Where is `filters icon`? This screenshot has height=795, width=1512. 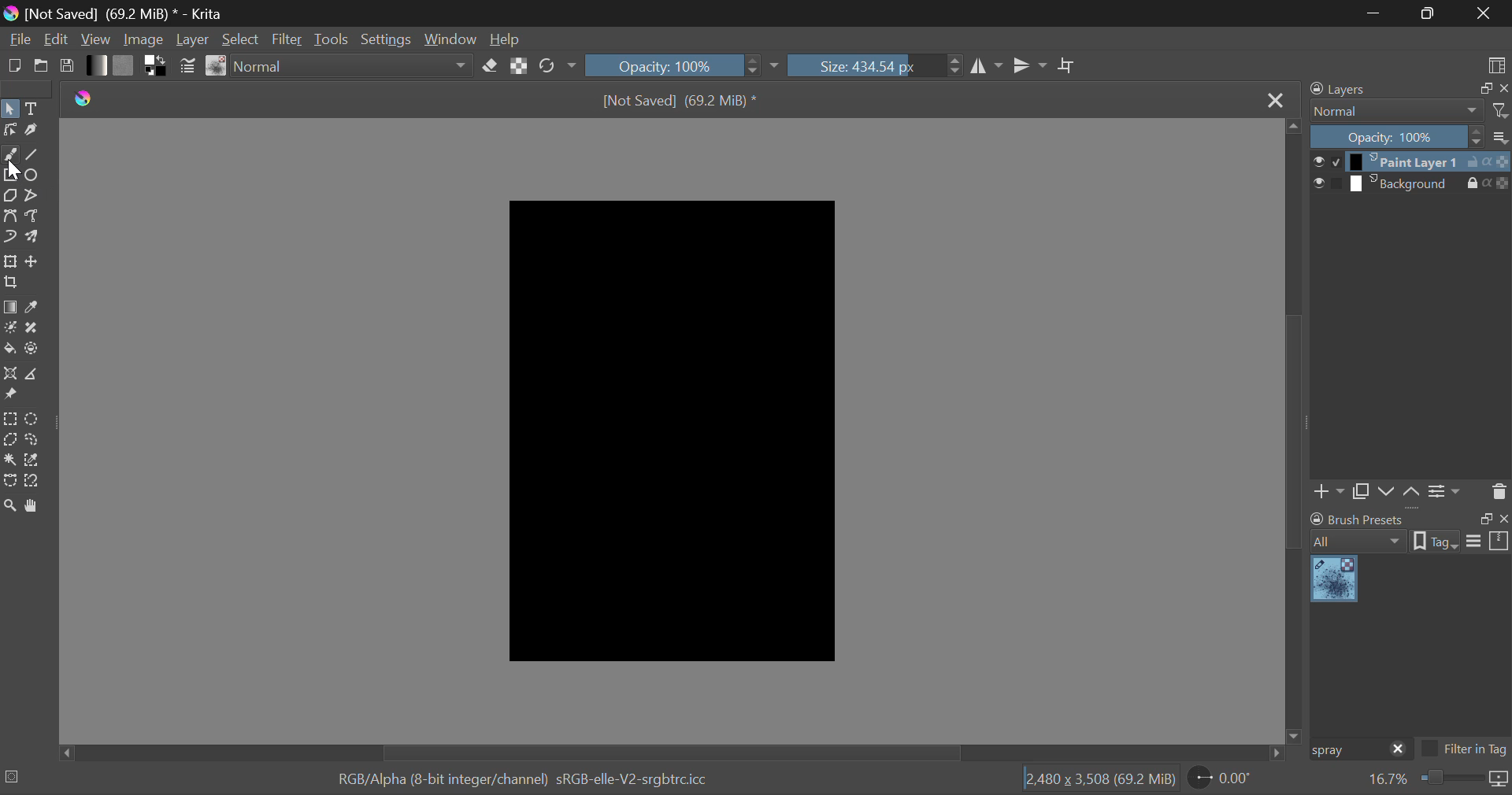
filters icon is located at coordinates (1501, 109).